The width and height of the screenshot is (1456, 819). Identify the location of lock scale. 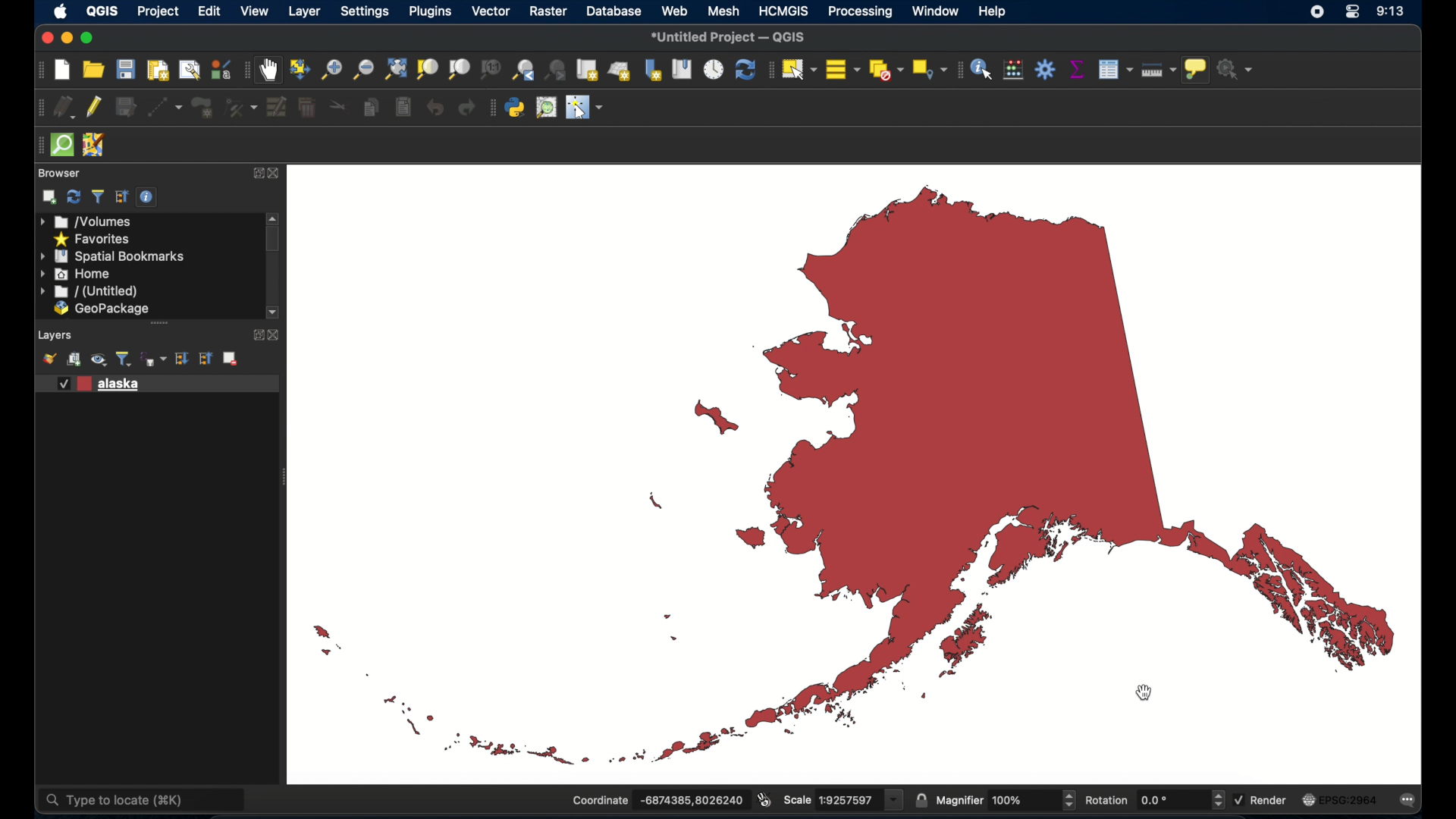
(918, 799).